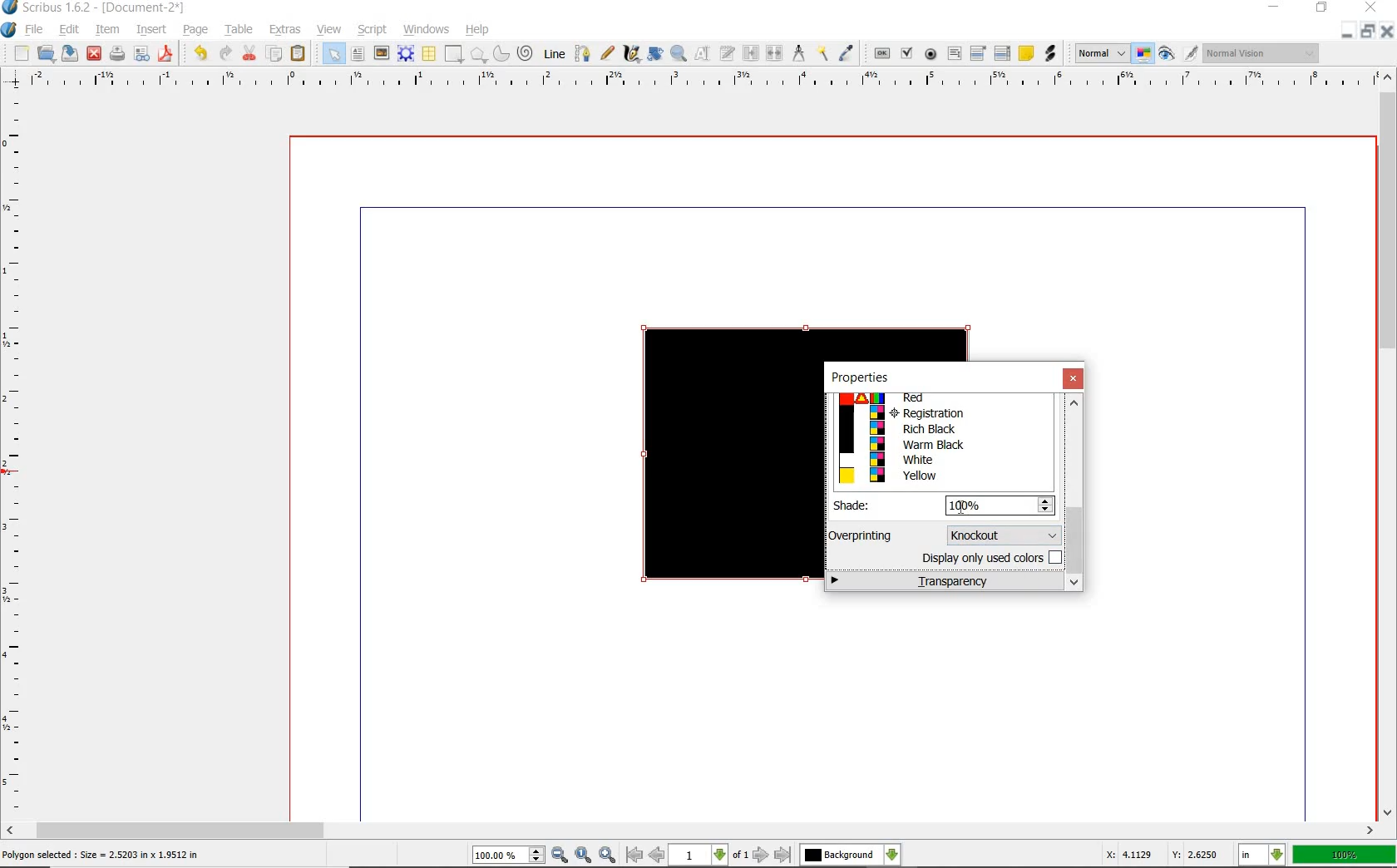 Image resolution: width=1397 pixels, height=868 pixels. What do you see at coordinates (1364, 34) in the screenshot?
I see `RESTORE` at bounding box center [1364, 34].